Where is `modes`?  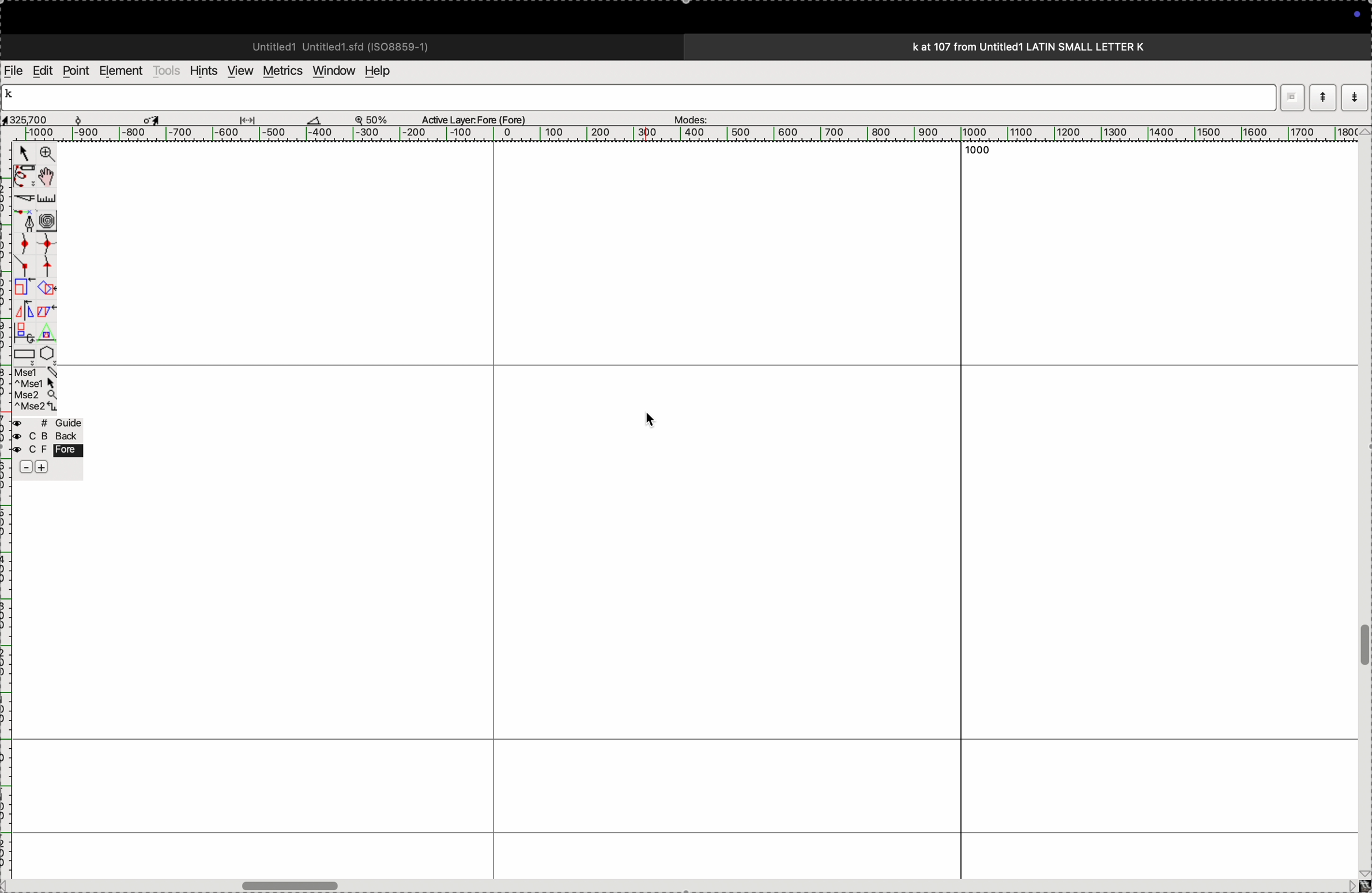 modes is located at coordinates (687, 116).